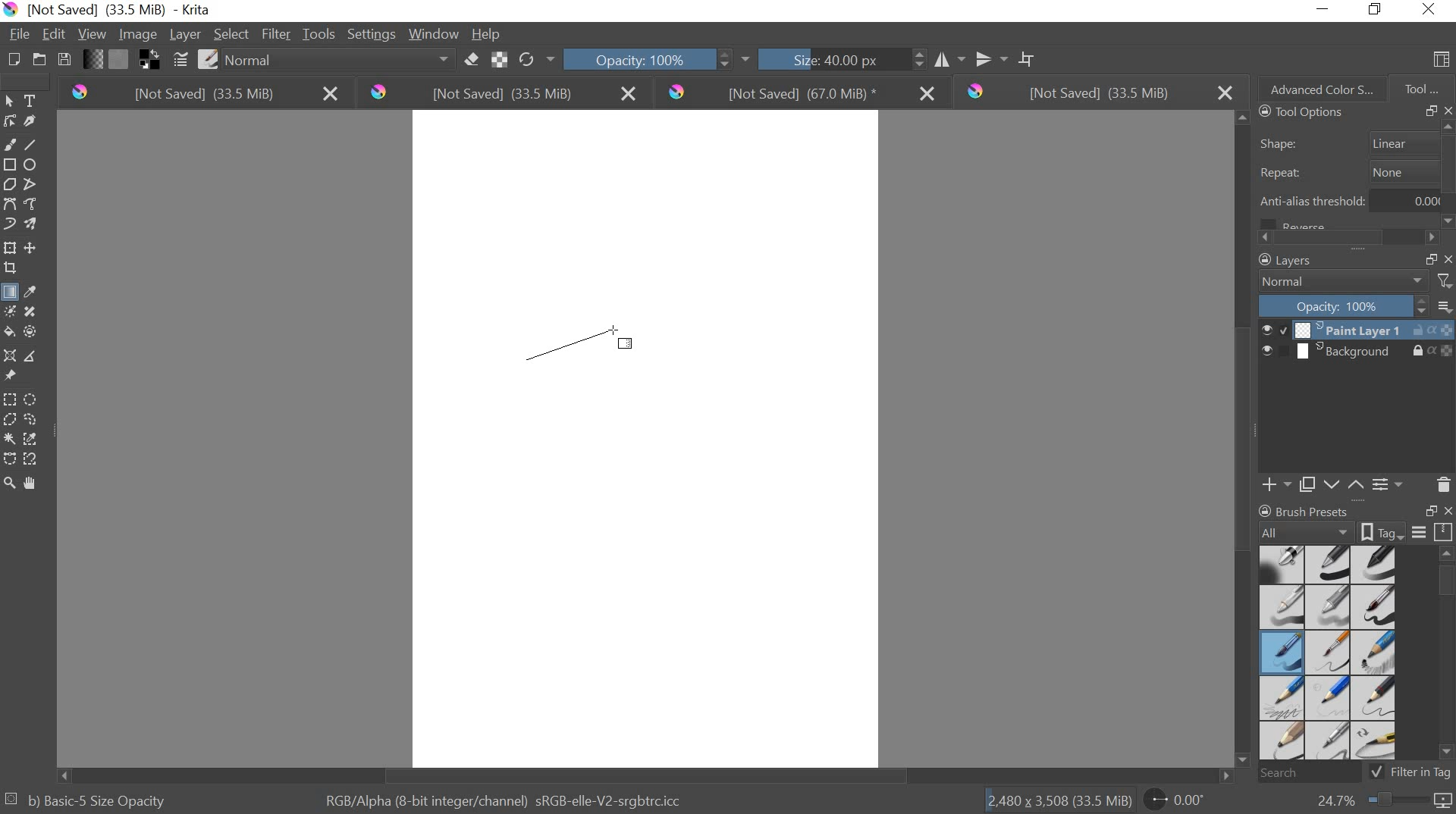 Image resolution: width=1456 pixels, height=814 pixels. What do you see at coordinates (1351, 205) in the screenshot?
I see `anti-alias threshold 0.00` at bounding box center [1351, 205].